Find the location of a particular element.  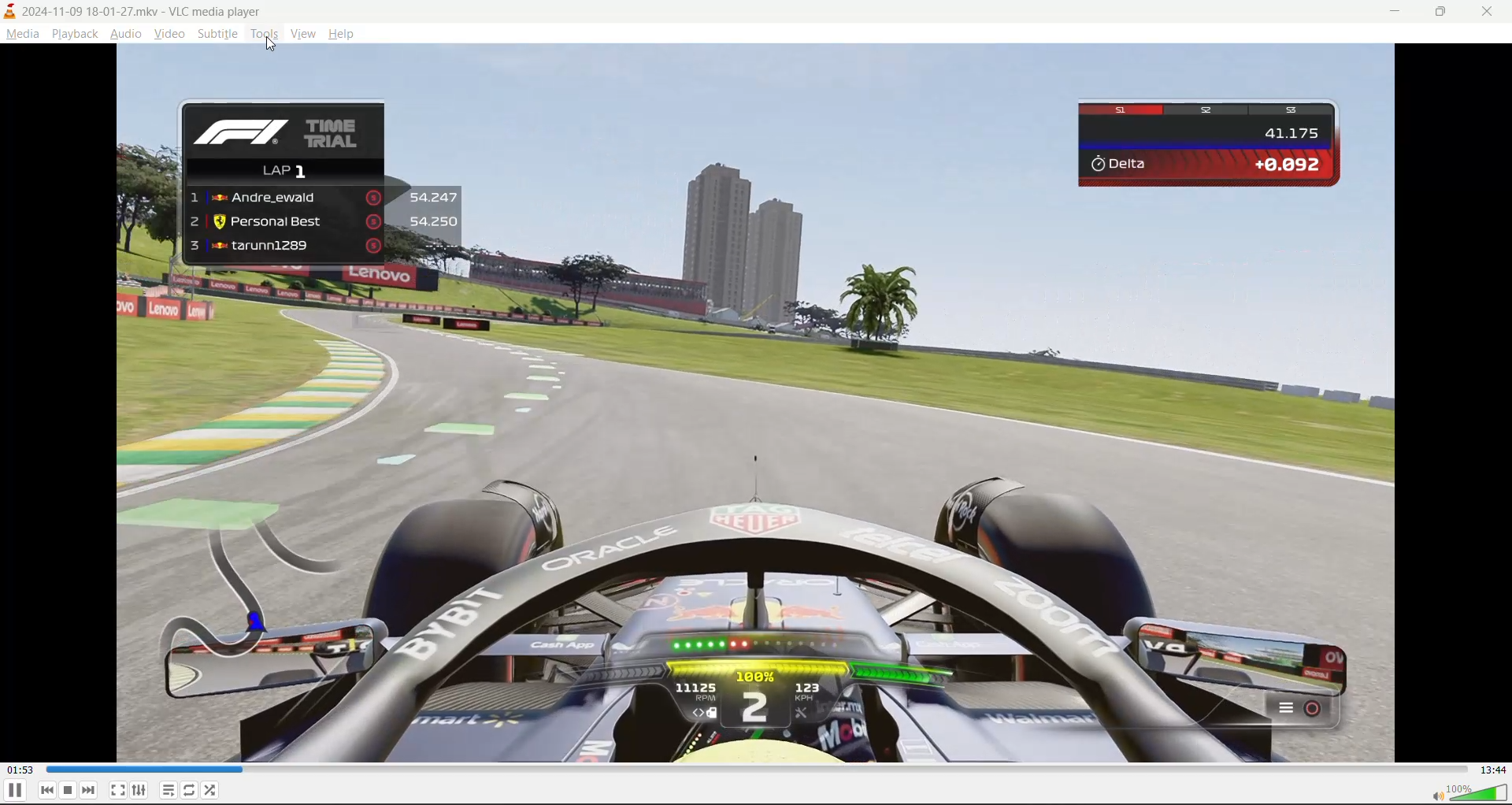

volume is located at coordinates (1471, 794).